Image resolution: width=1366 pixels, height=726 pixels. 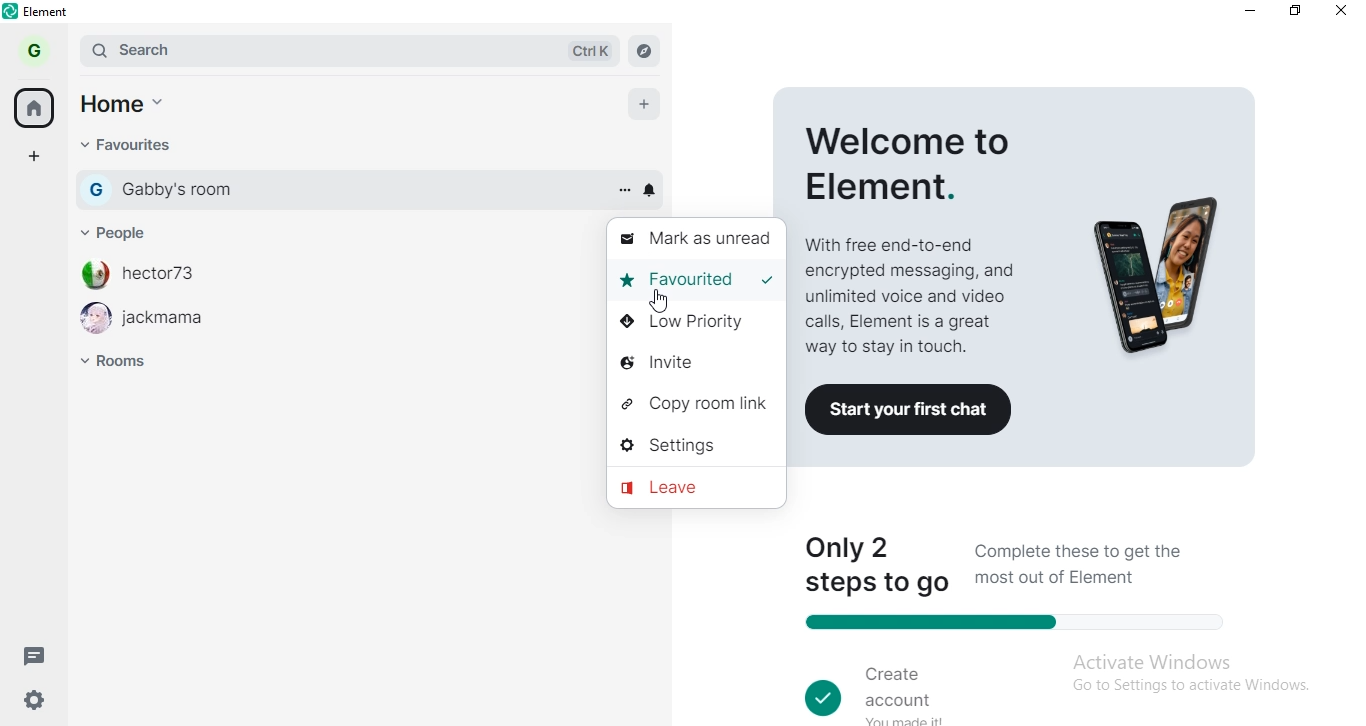 What do you see at coordinates (164, 277) in the screenshot?
I see `hector73` at bounding box center [164, 277].